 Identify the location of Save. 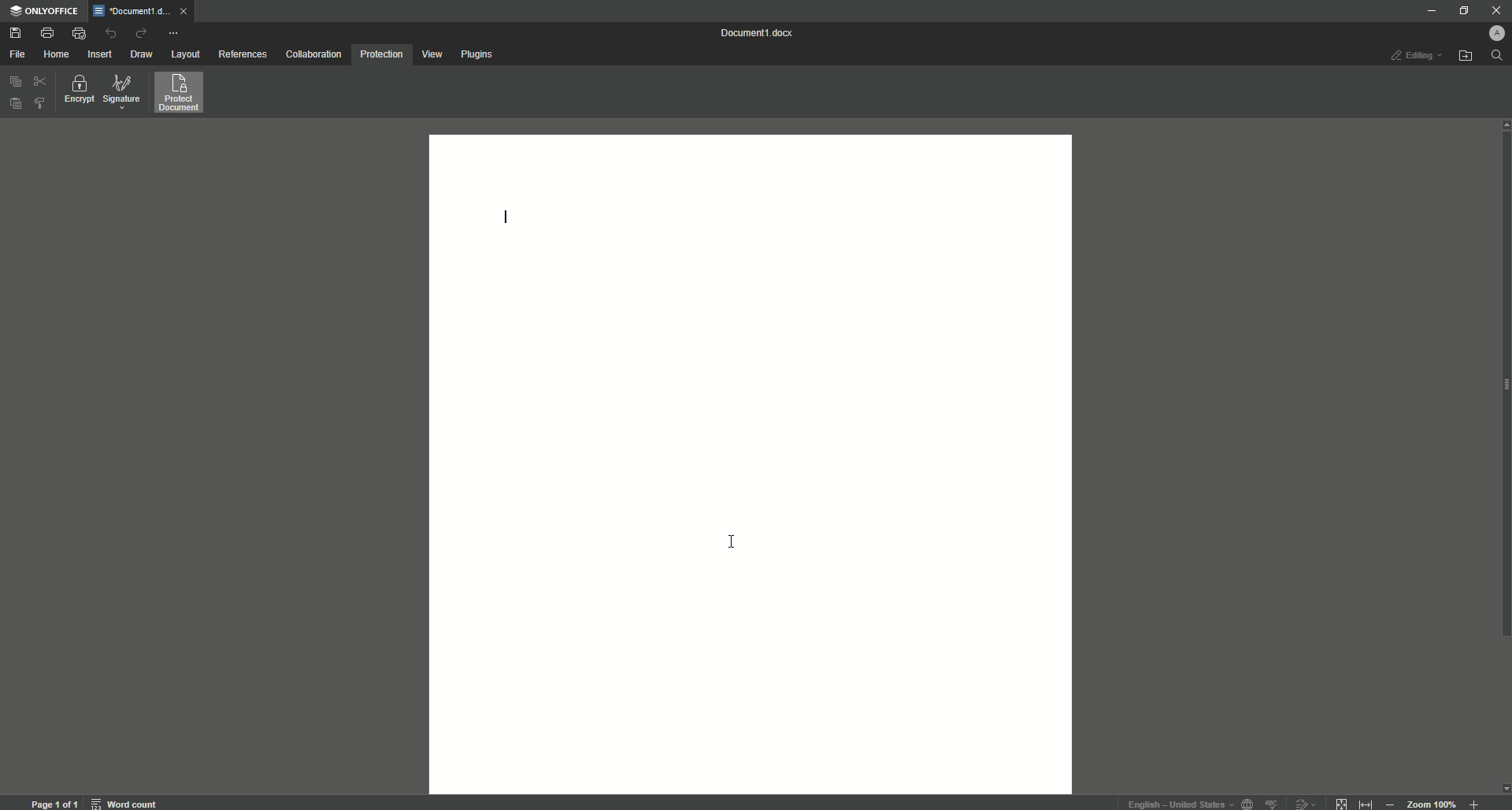
(17, 33).